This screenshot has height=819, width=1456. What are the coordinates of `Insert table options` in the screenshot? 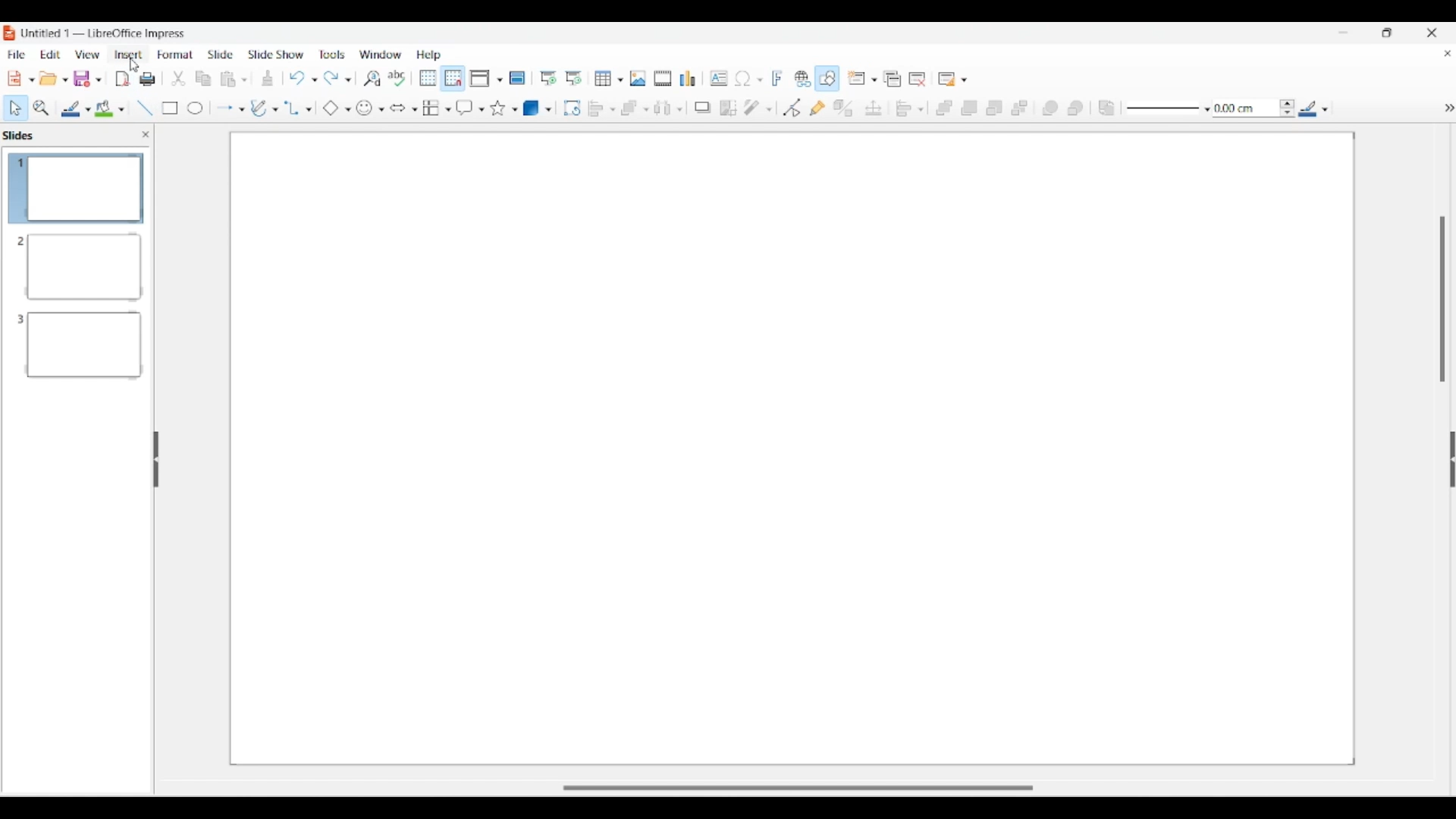 It's located at (609, 78).